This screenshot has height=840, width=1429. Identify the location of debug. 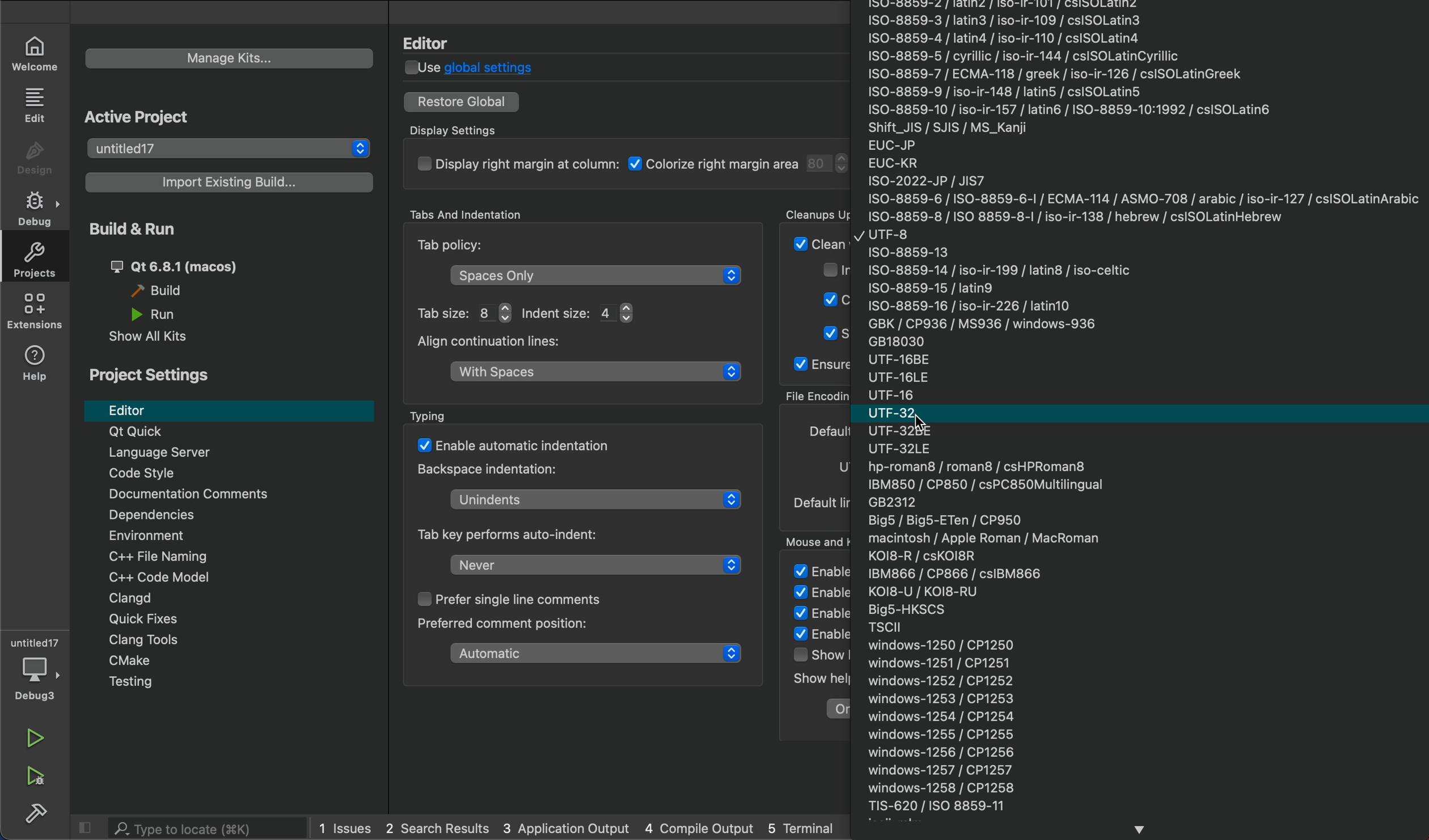
(40, 210).